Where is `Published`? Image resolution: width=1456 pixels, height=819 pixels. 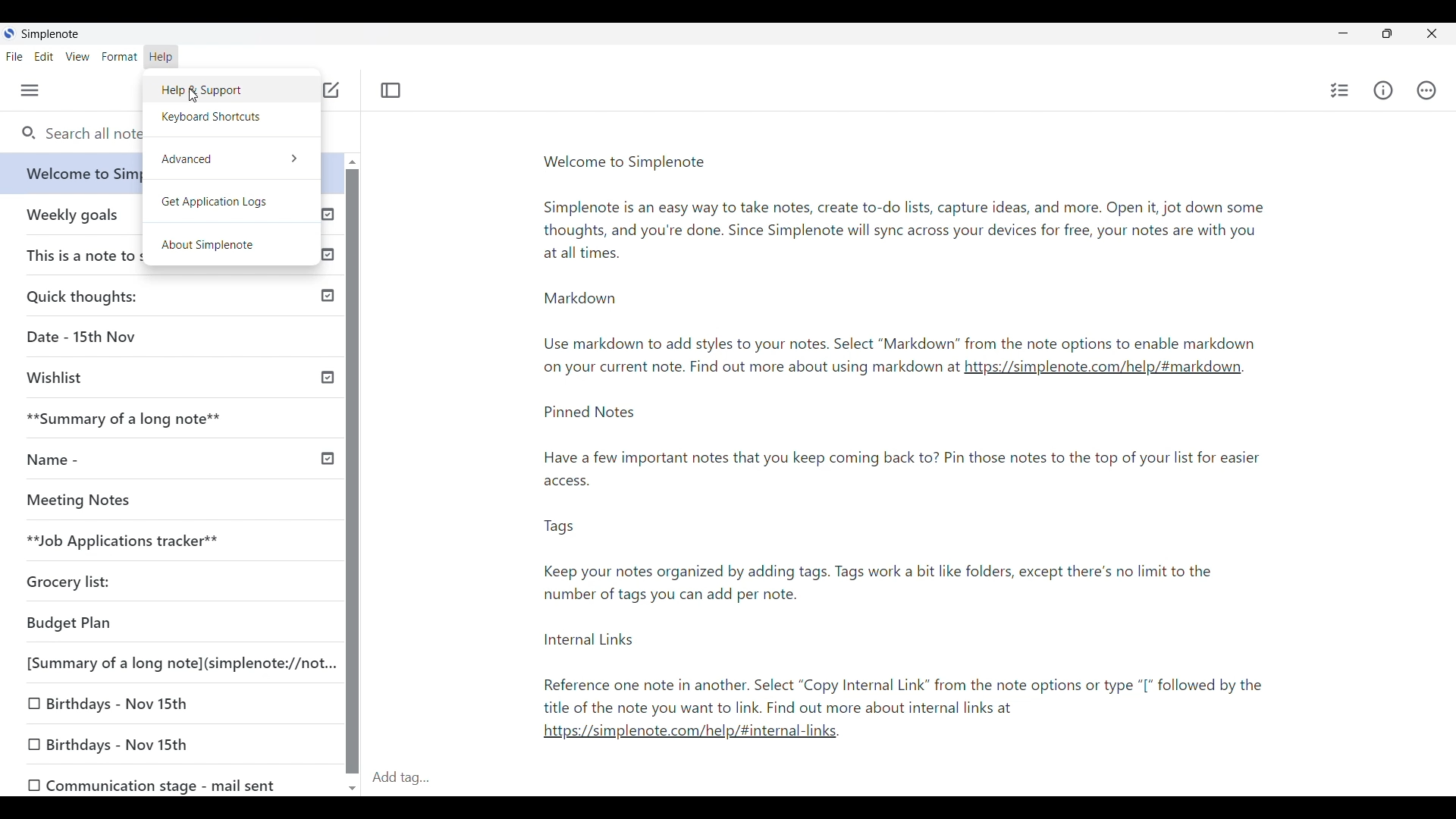 Published is located at coordinates (328, 257).